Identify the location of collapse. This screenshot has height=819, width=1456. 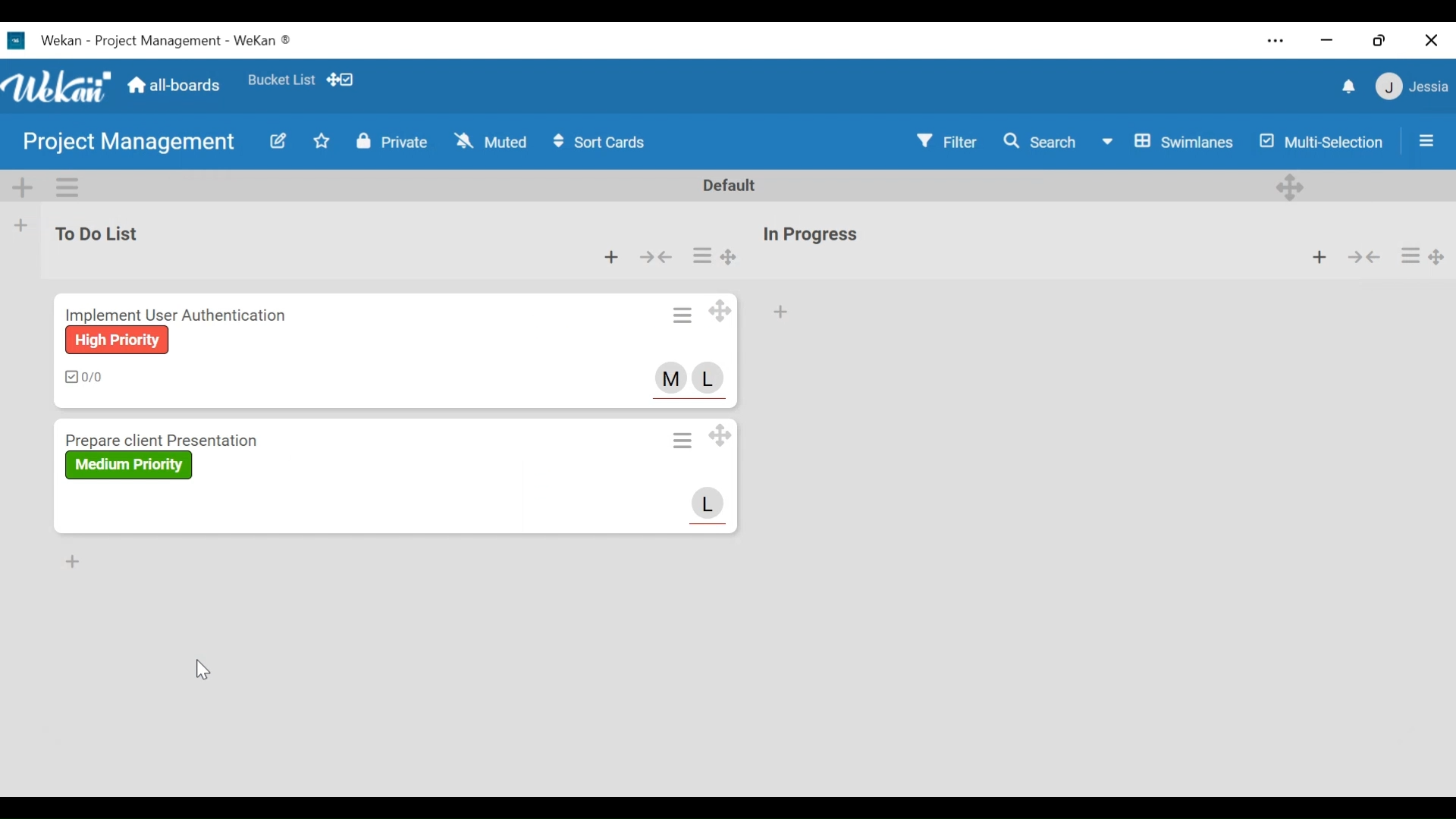
(657, 257).